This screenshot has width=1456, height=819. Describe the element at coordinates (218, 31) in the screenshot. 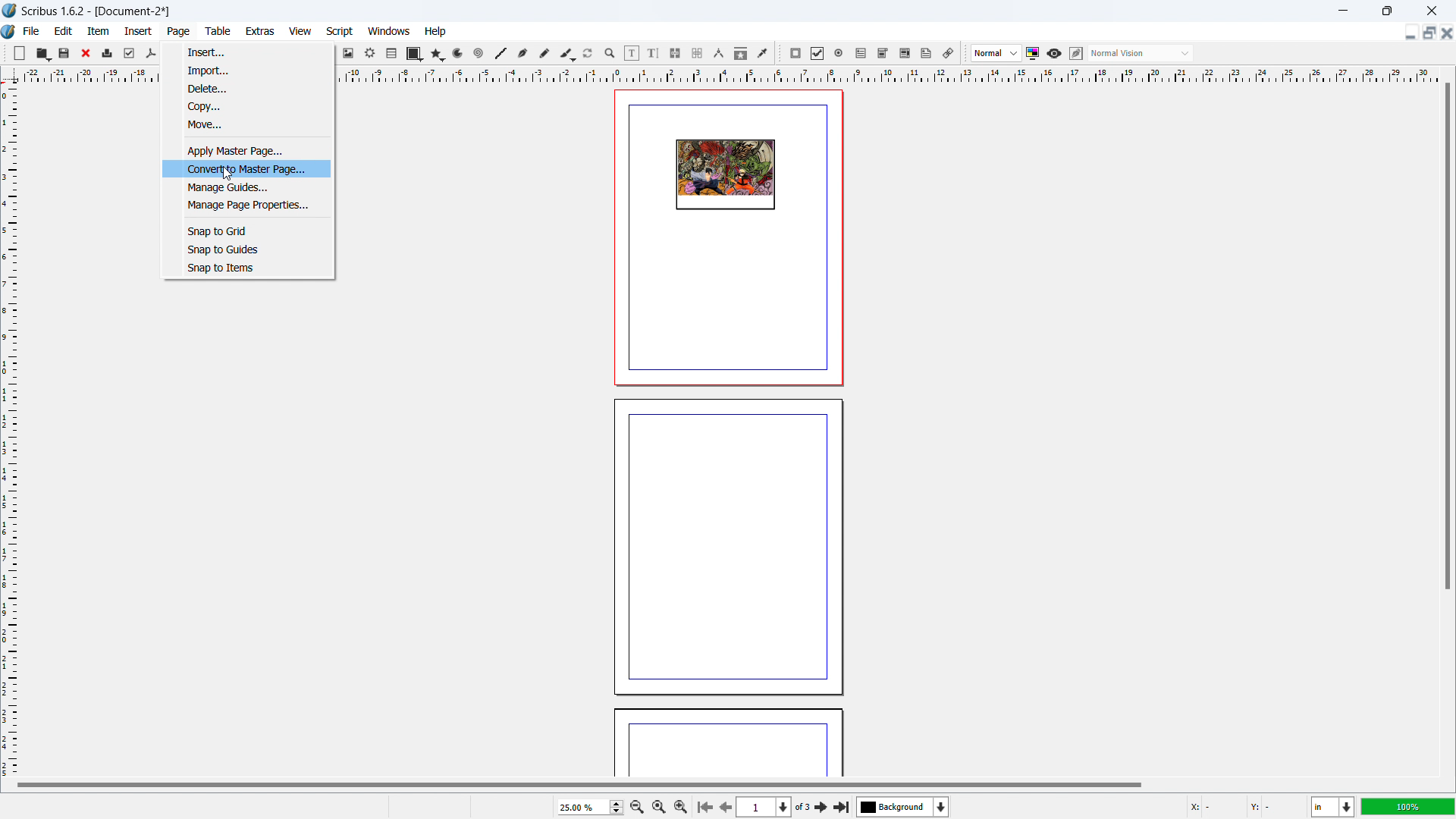

I see `table` at that location.